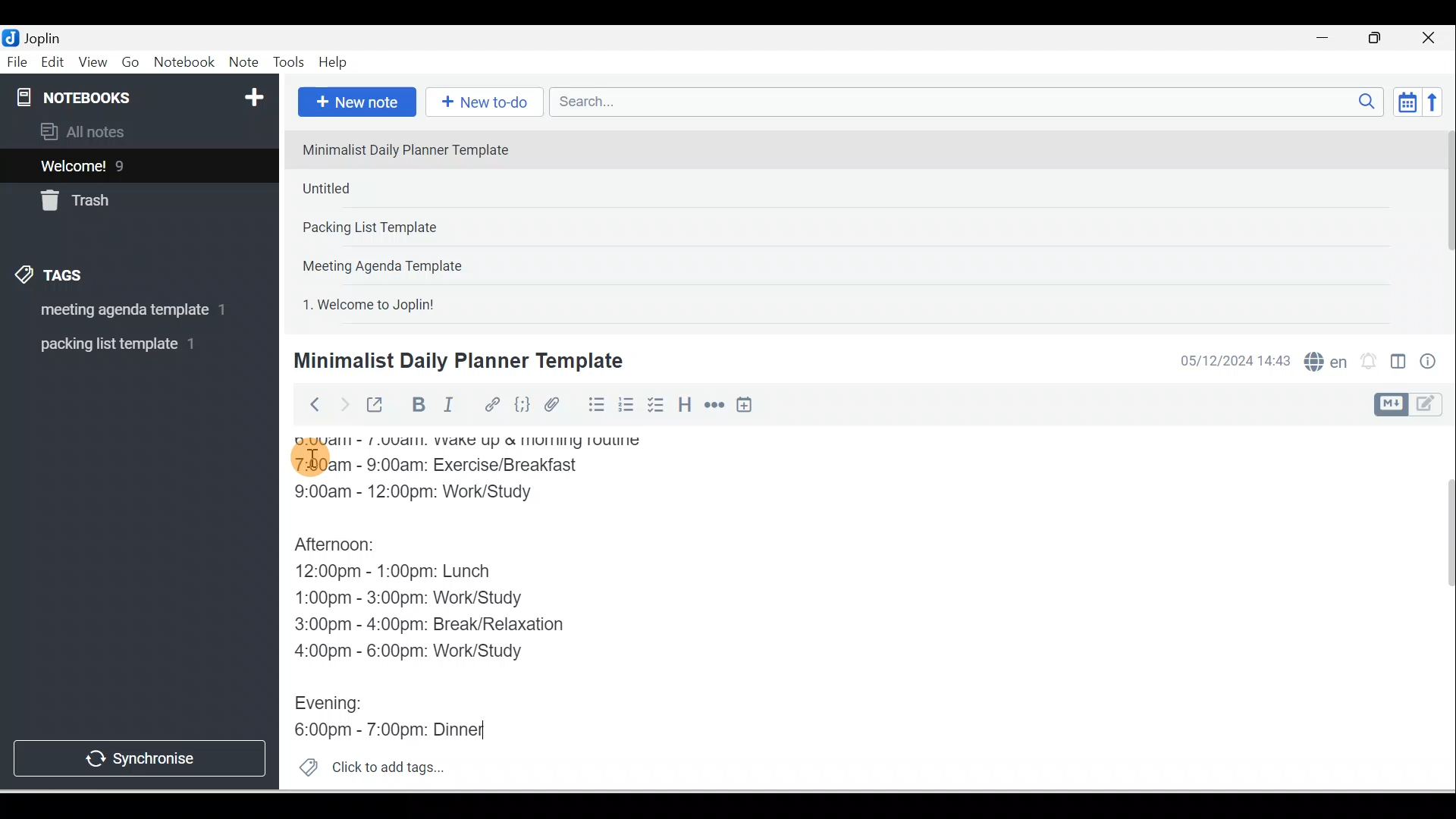 This screenshot has height=819, width=1456. I want to click on Toggle sort order, so click(1407, 101).